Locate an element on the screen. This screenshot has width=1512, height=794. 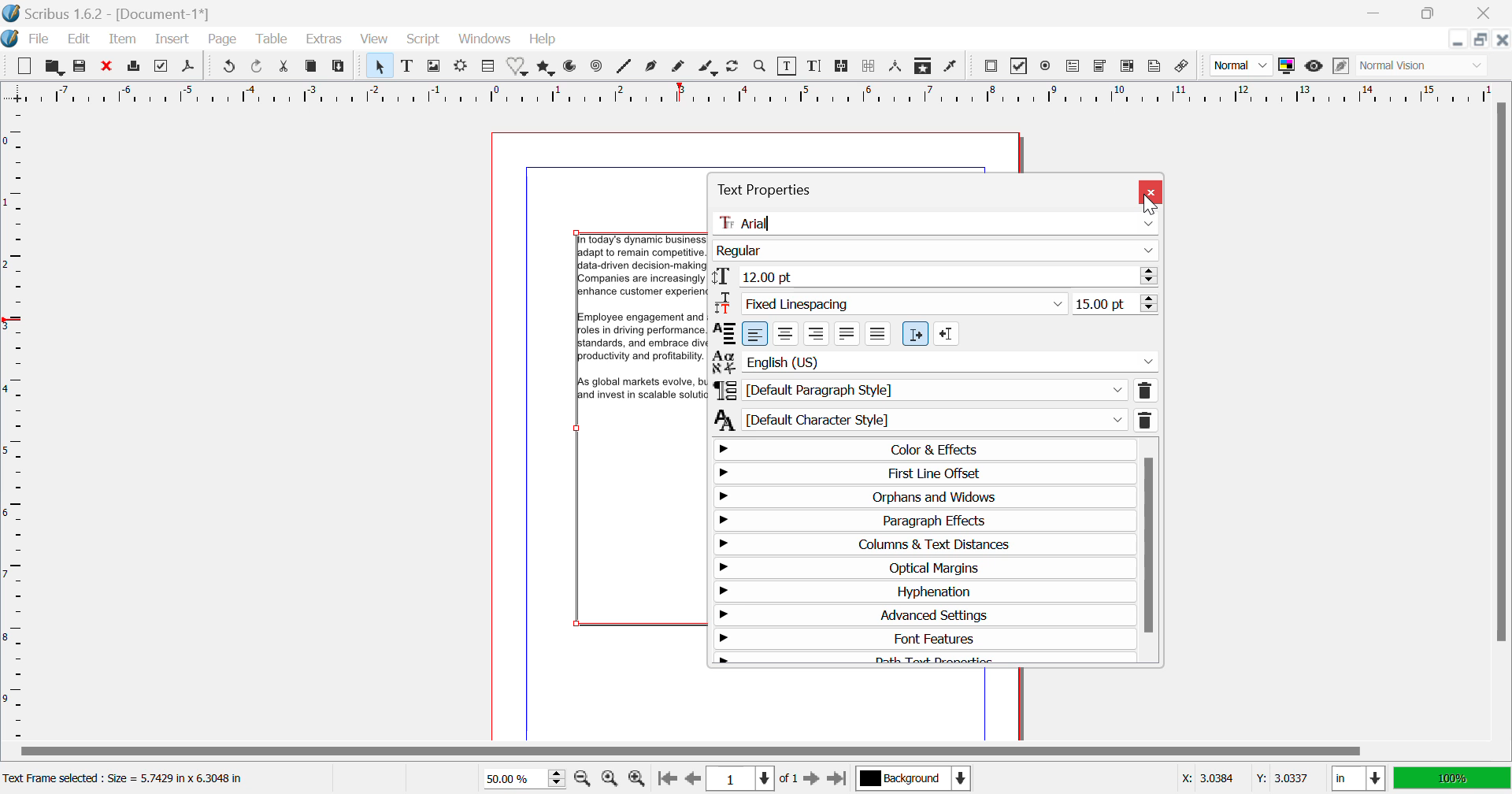
View is located at coordinates (372, 39).